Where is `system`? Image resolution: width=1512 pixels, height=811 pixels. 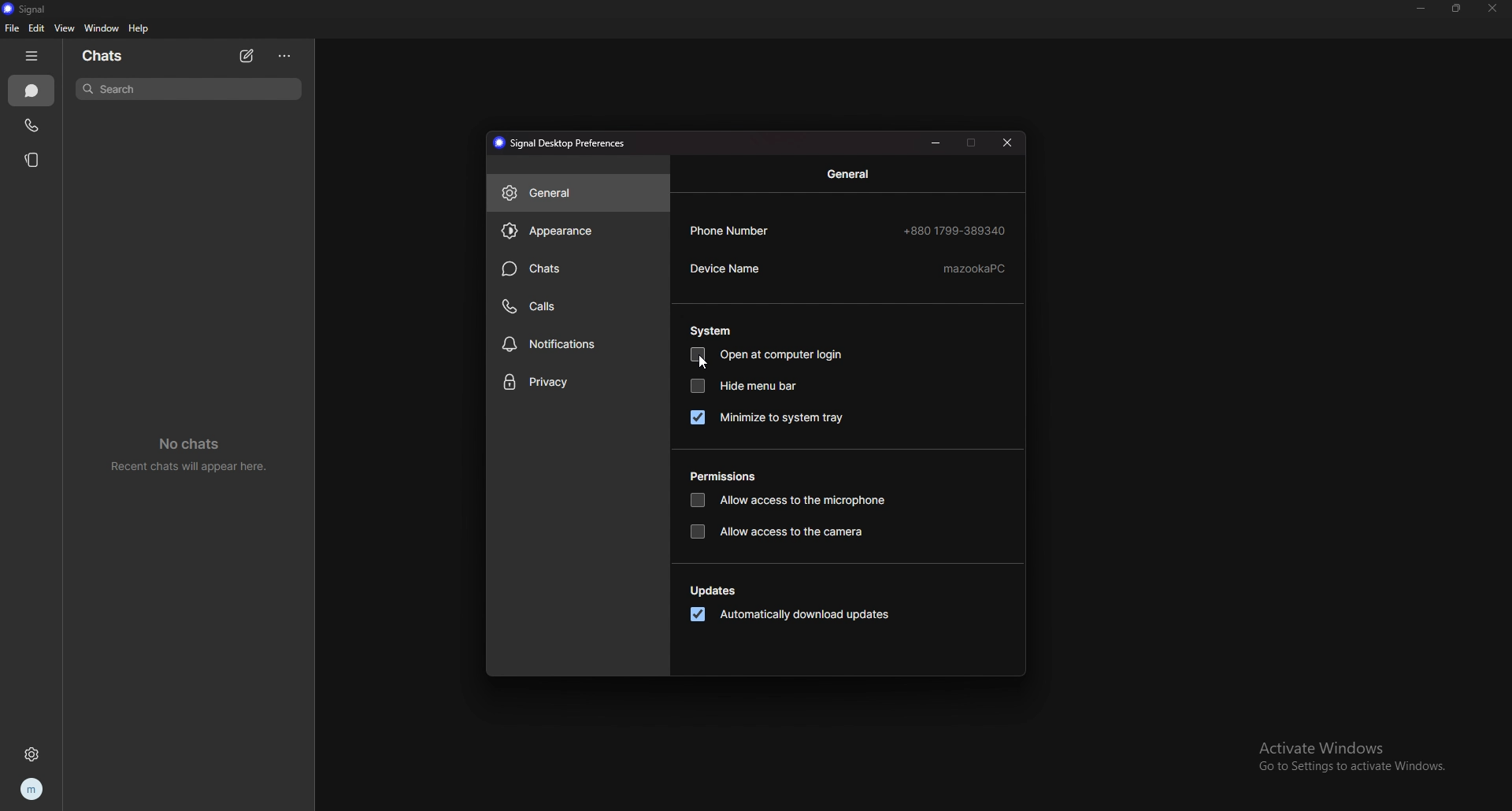 system is located at coordinates (713, 331).